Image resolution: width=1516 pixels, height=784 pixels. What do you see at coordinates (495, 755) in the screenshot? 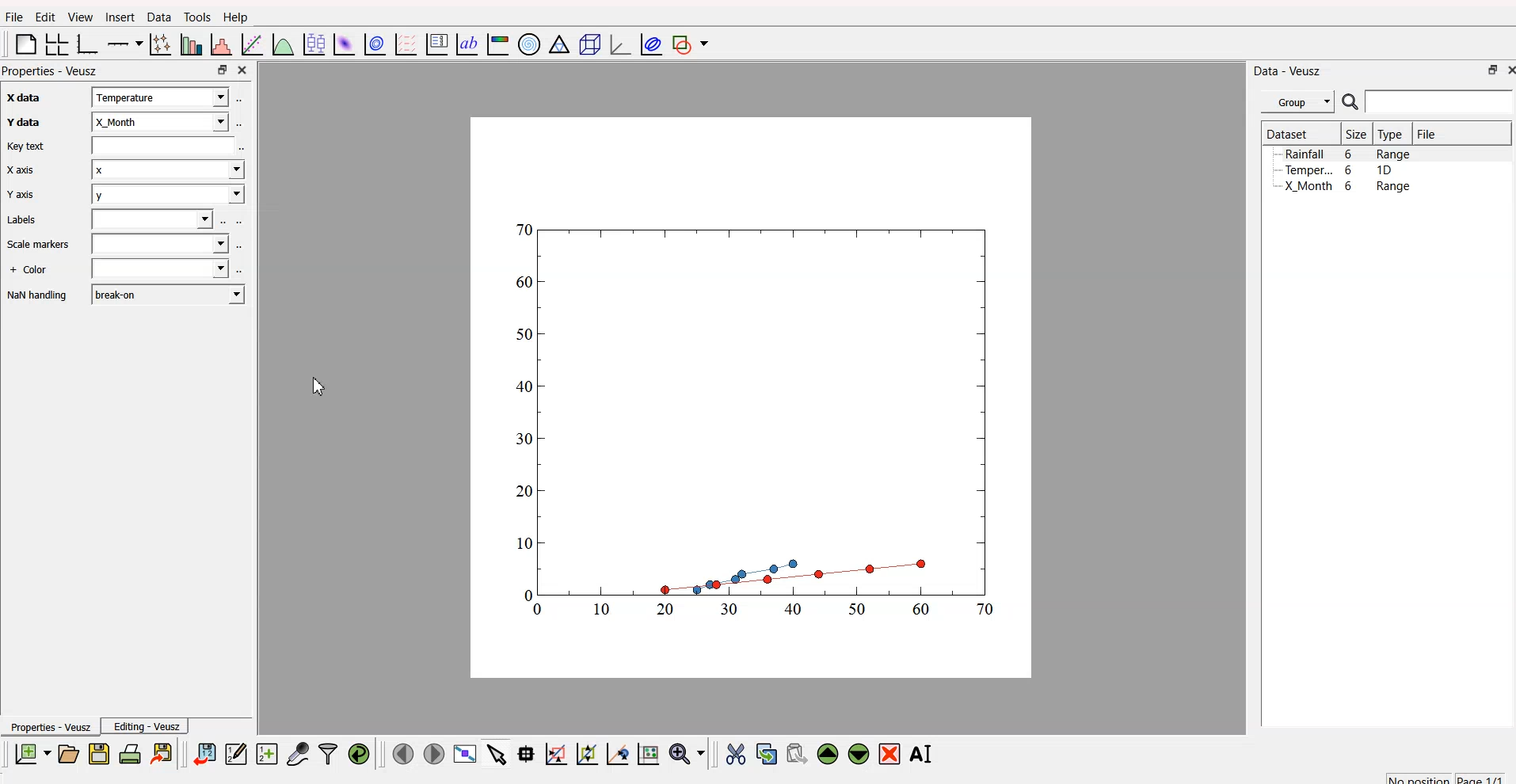
I see `select items from graph` at bounding box center [495, 755].